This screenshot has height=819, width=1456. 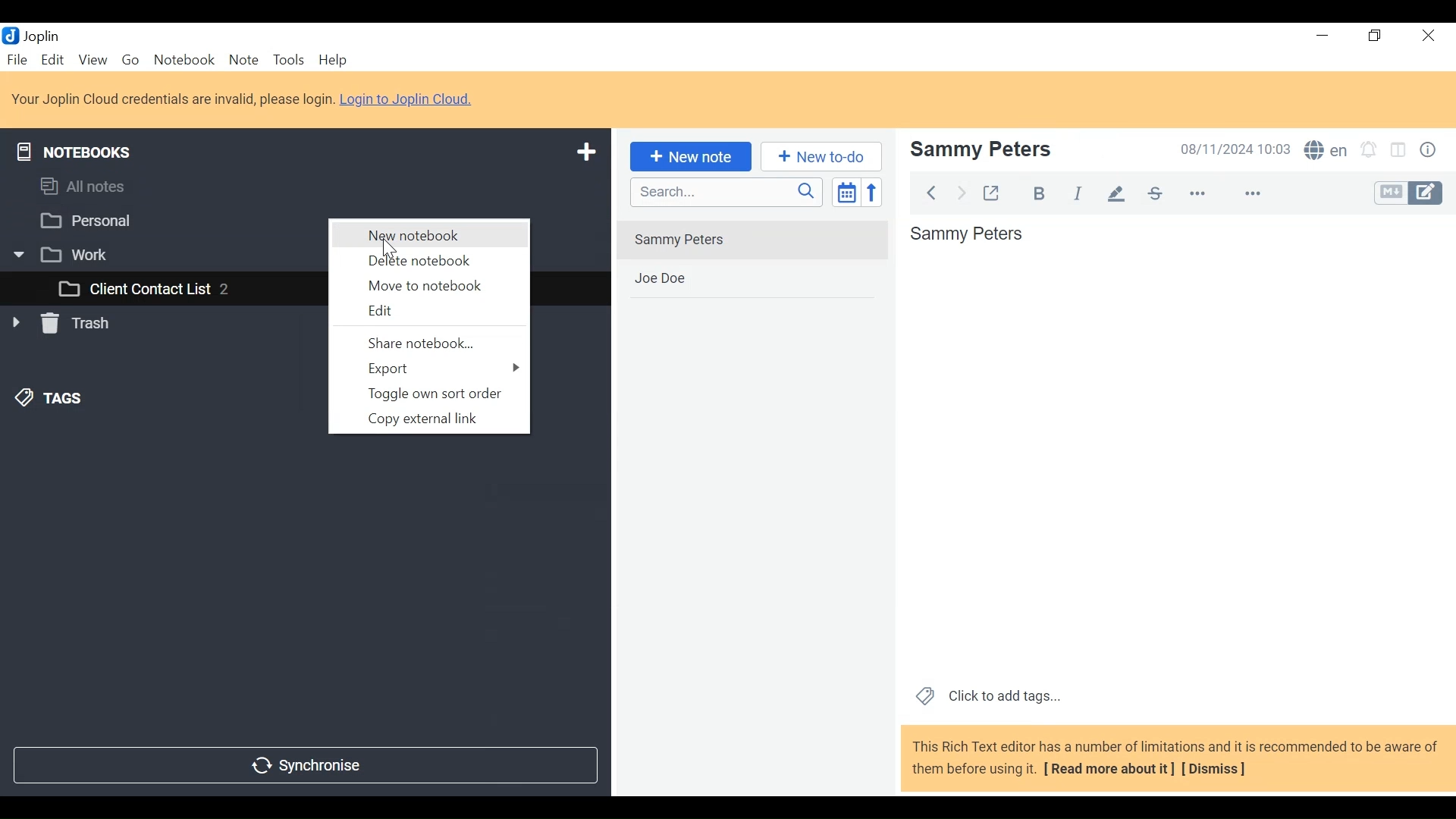 I want to click on Edit, so click(x=429, y=312).